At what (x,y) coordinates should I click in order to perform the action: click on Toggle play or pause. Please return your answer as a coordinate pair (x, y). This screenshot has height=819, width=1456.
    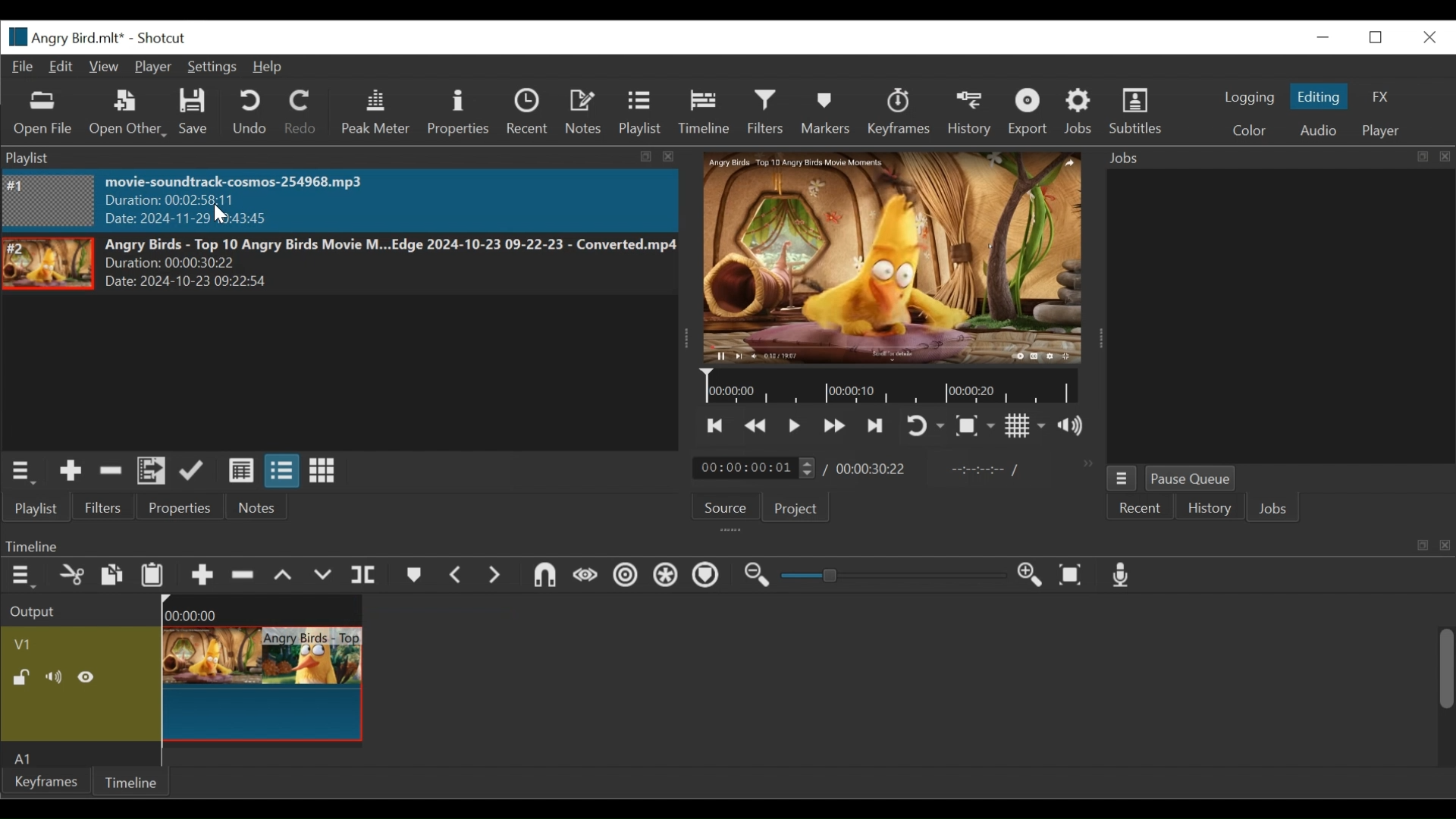
    Looking at the image, I should click on (795, 426).